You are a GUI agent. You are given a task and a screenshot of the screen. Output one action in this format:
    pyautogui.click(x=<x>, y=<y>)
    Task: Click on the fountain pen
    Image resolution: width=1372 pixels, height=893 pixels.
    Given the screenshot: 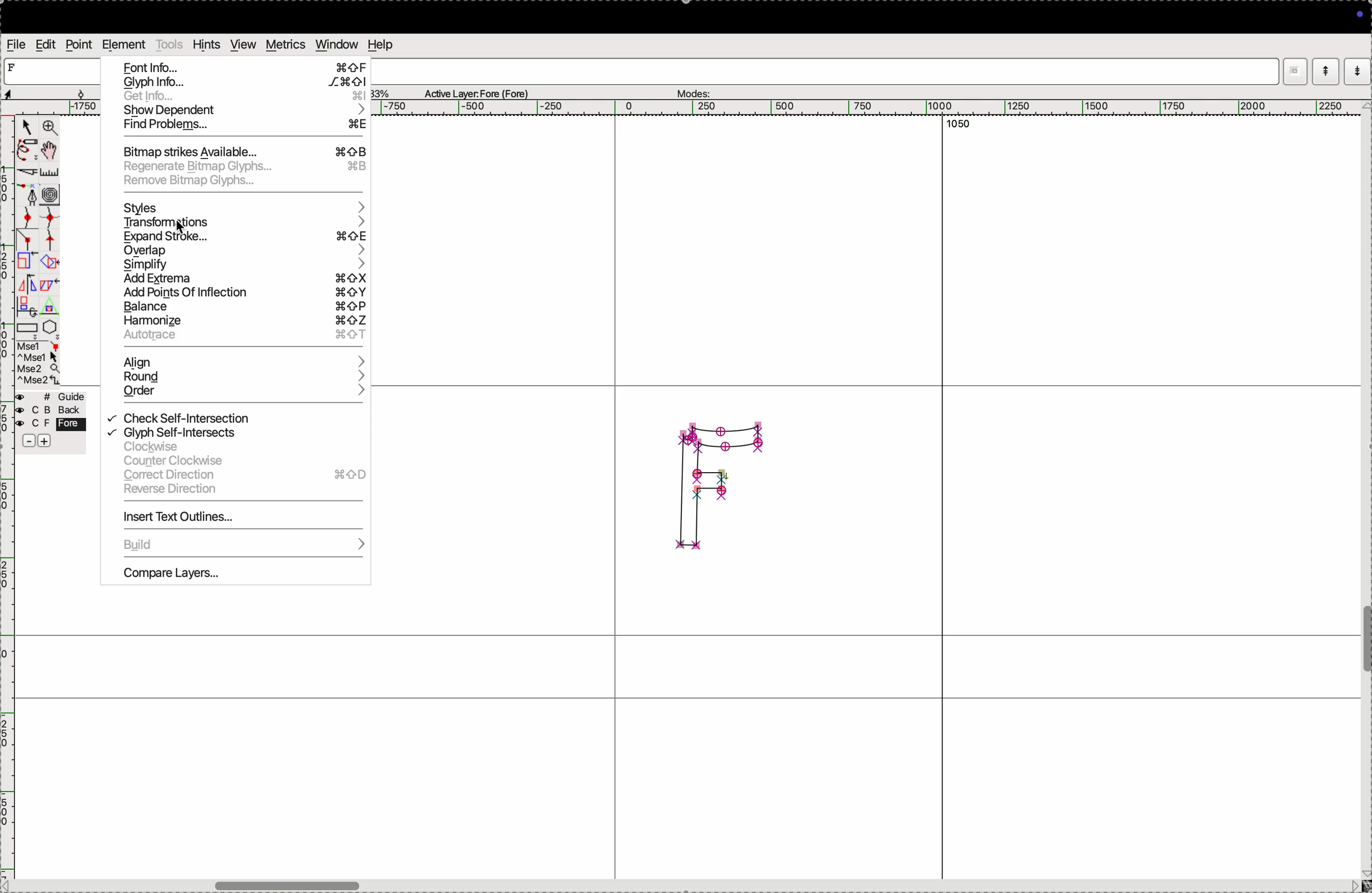 What is the action you would take?
    pyautogui.click(x=32, y=196)
    